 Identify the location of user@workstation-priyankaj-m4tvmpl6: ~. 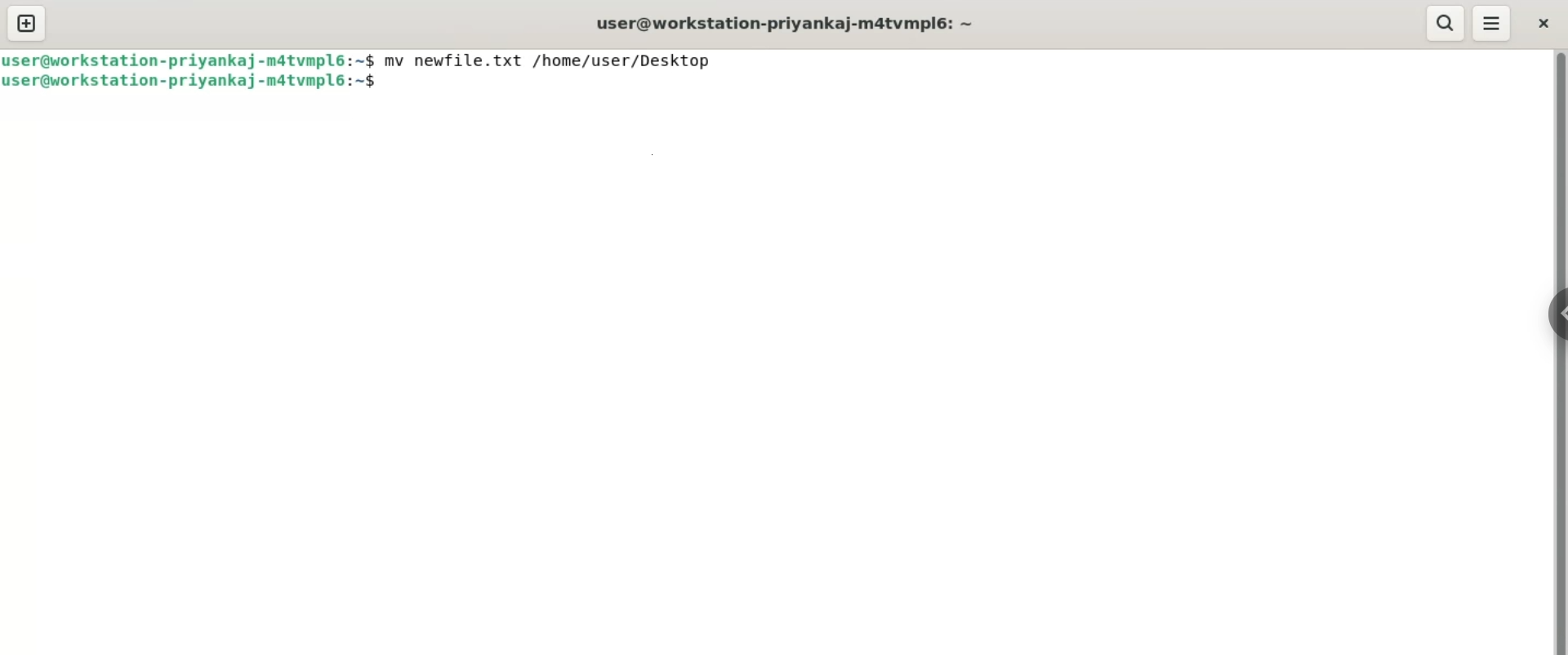
(786, 25).